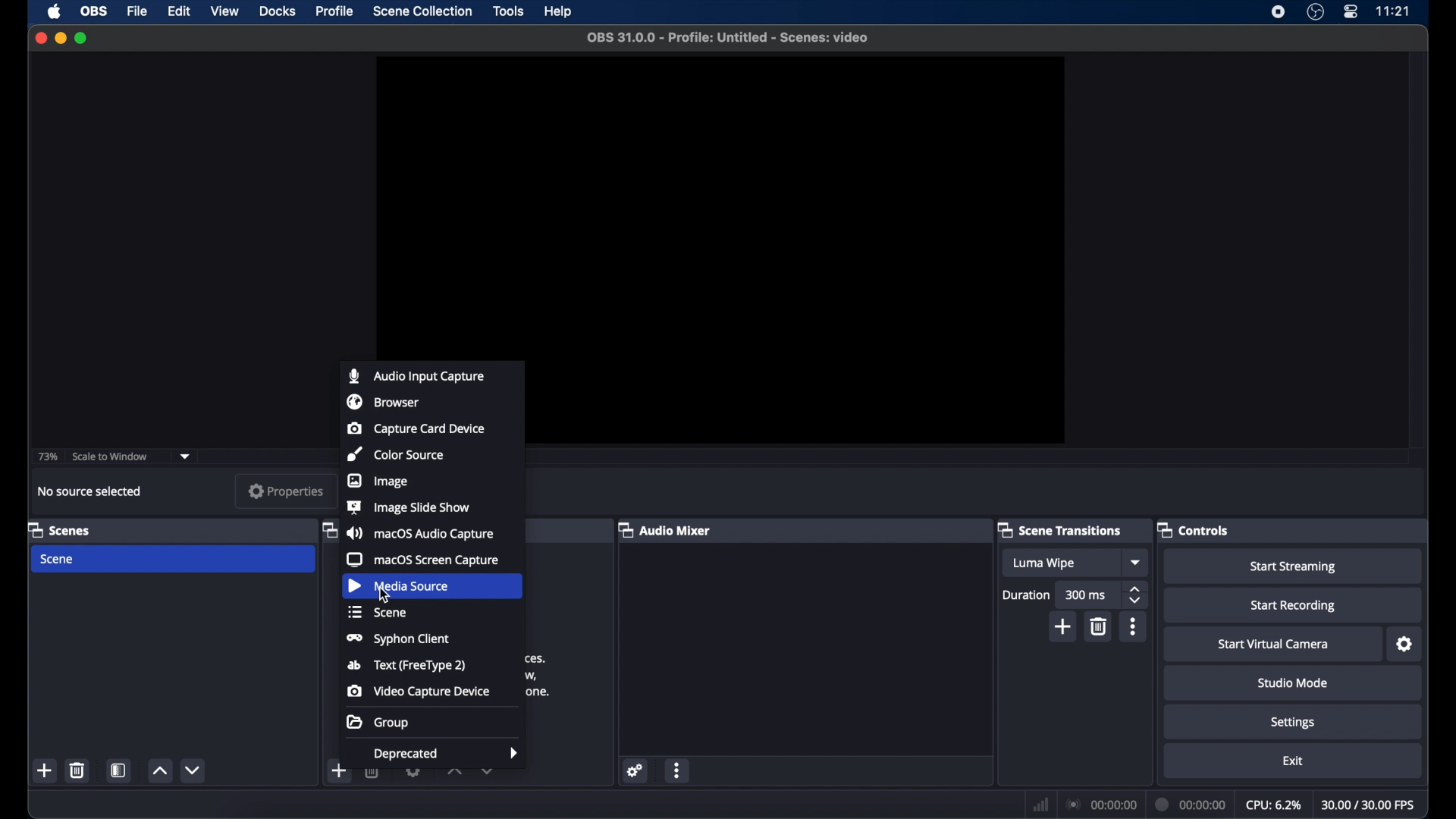  Describe the element at coordinates (538, 677) in the screenshot. I see `obscure text` at that location.